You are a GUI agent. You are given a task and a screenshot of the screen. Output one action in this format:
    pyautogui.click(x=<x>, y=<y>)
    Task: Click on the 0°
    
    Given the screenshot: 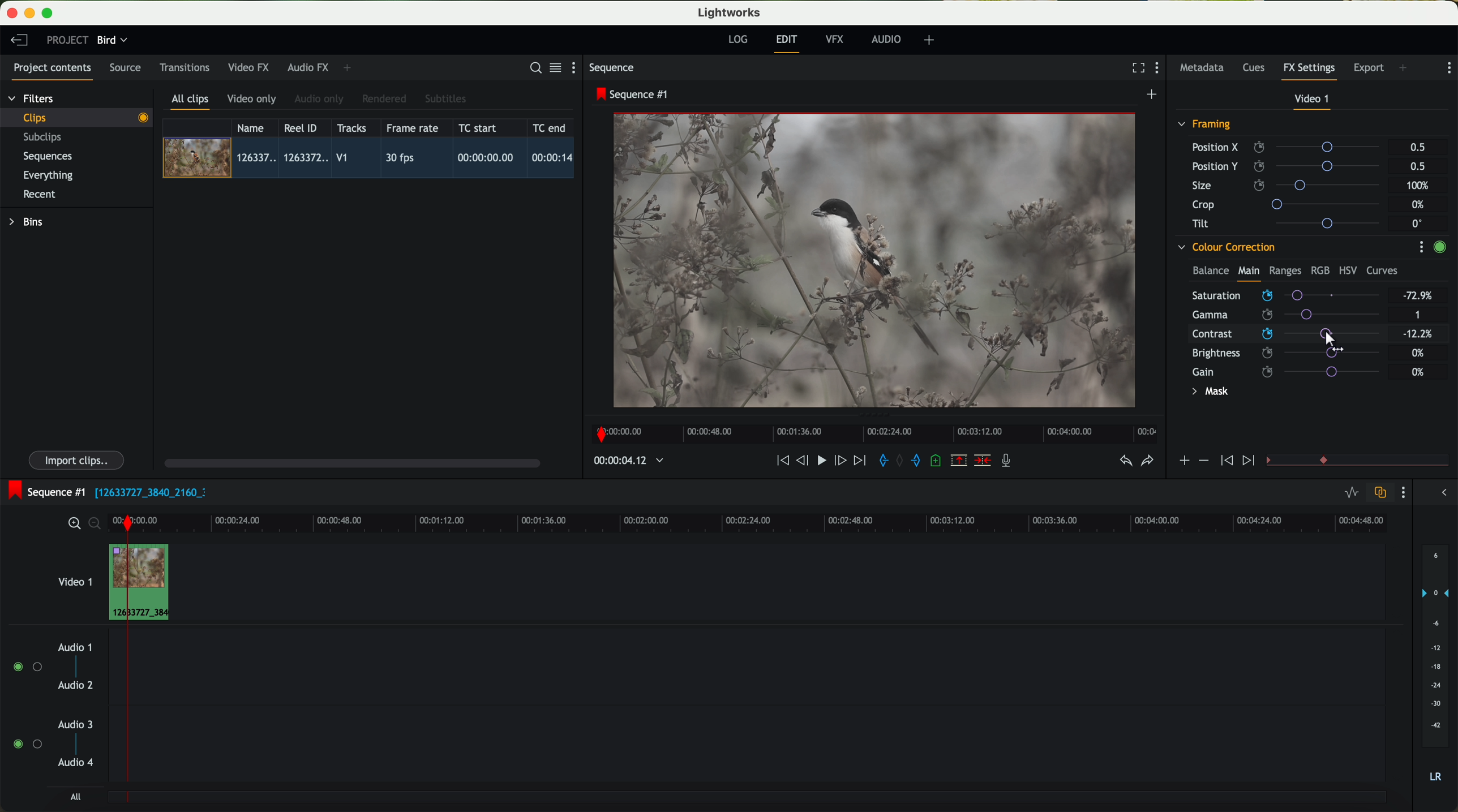 What is the action you would take?
    pyautogui.click(x=1418, y=223)
    